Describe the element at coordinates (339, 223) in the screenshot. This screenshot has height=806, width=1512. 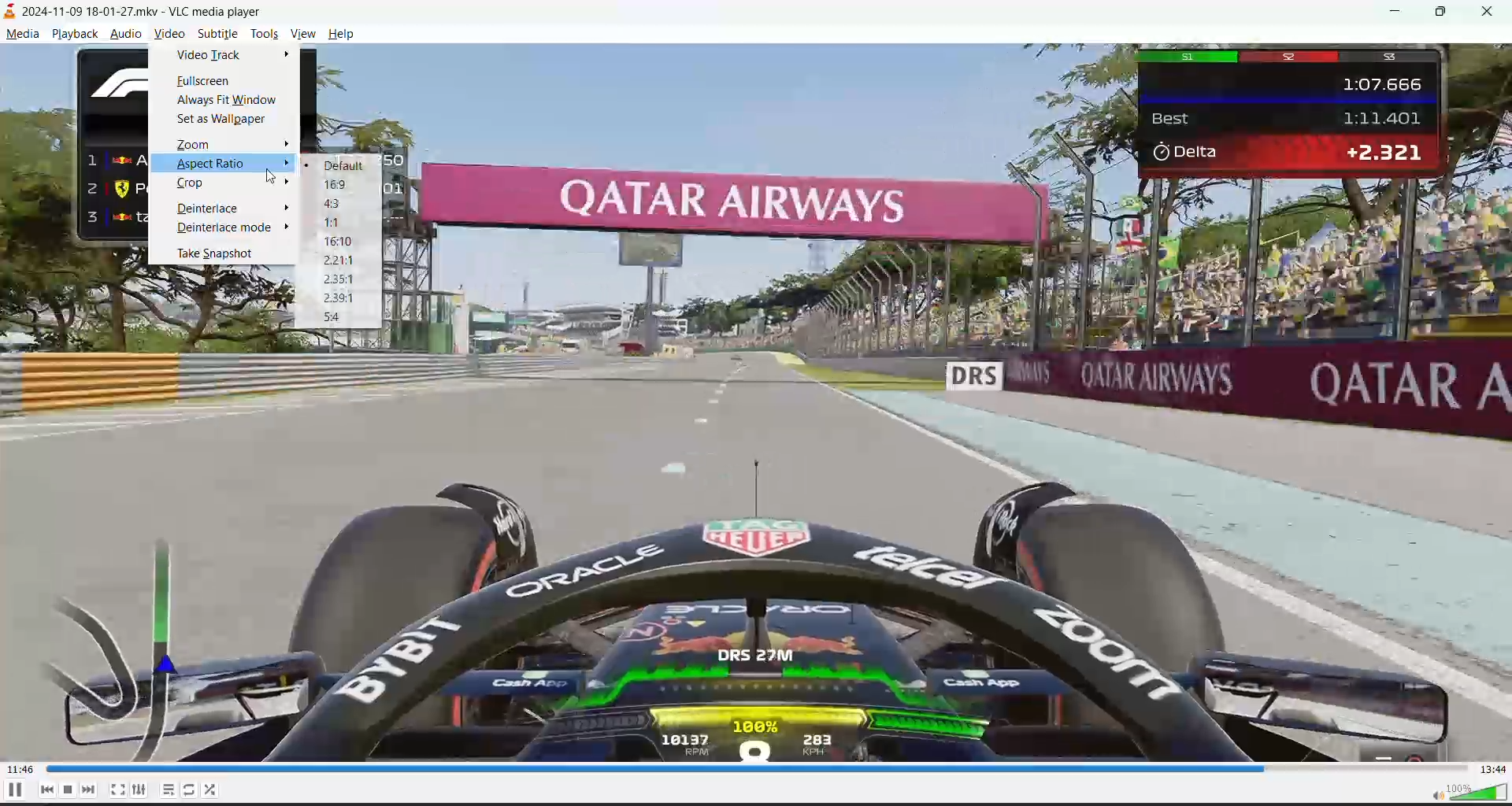
I see `1:1` at that location.